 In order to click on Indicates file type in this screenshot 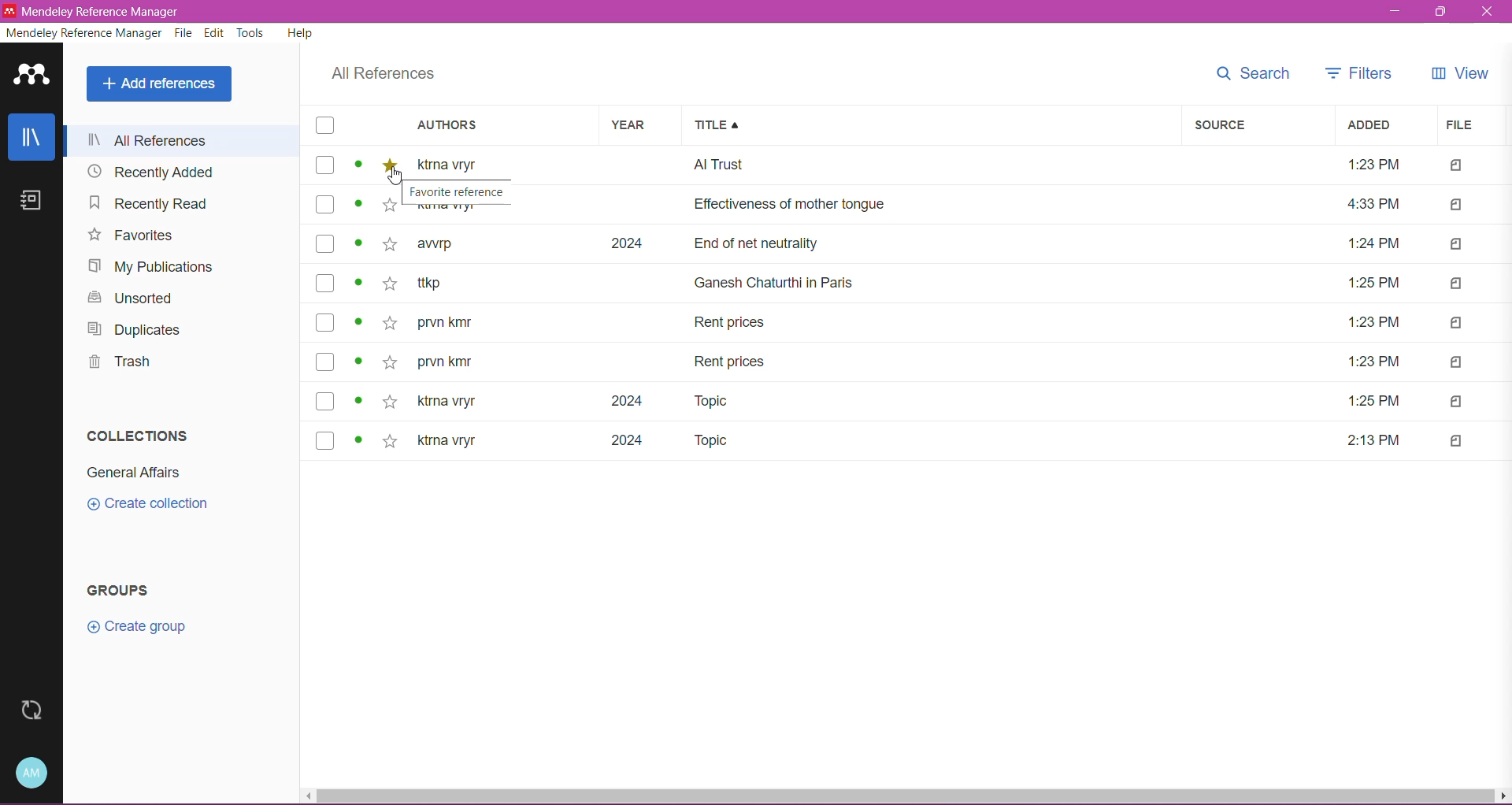, I will do `click(1456, 206)`.